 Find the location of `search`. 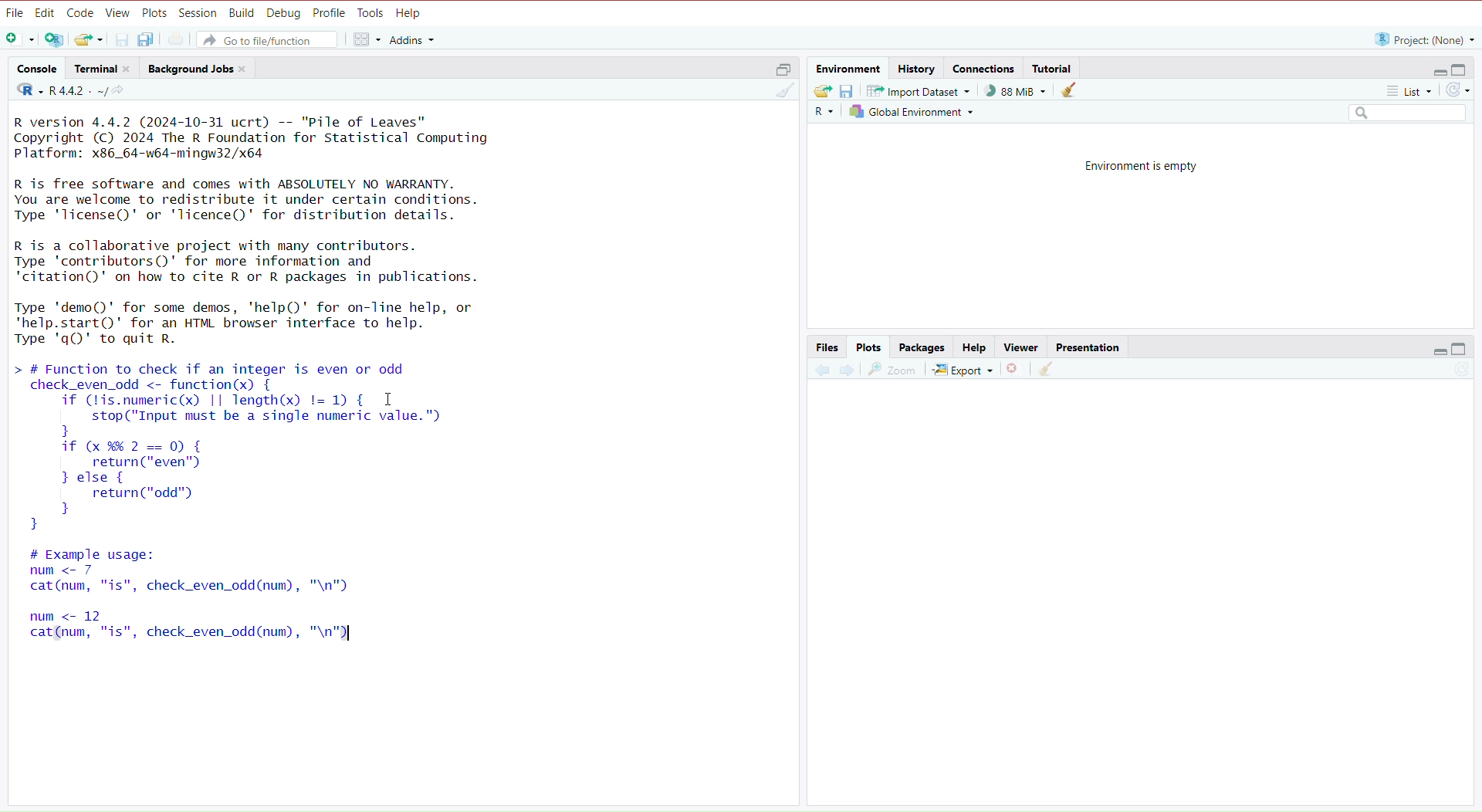

search is located at coordinates (1401, 113).